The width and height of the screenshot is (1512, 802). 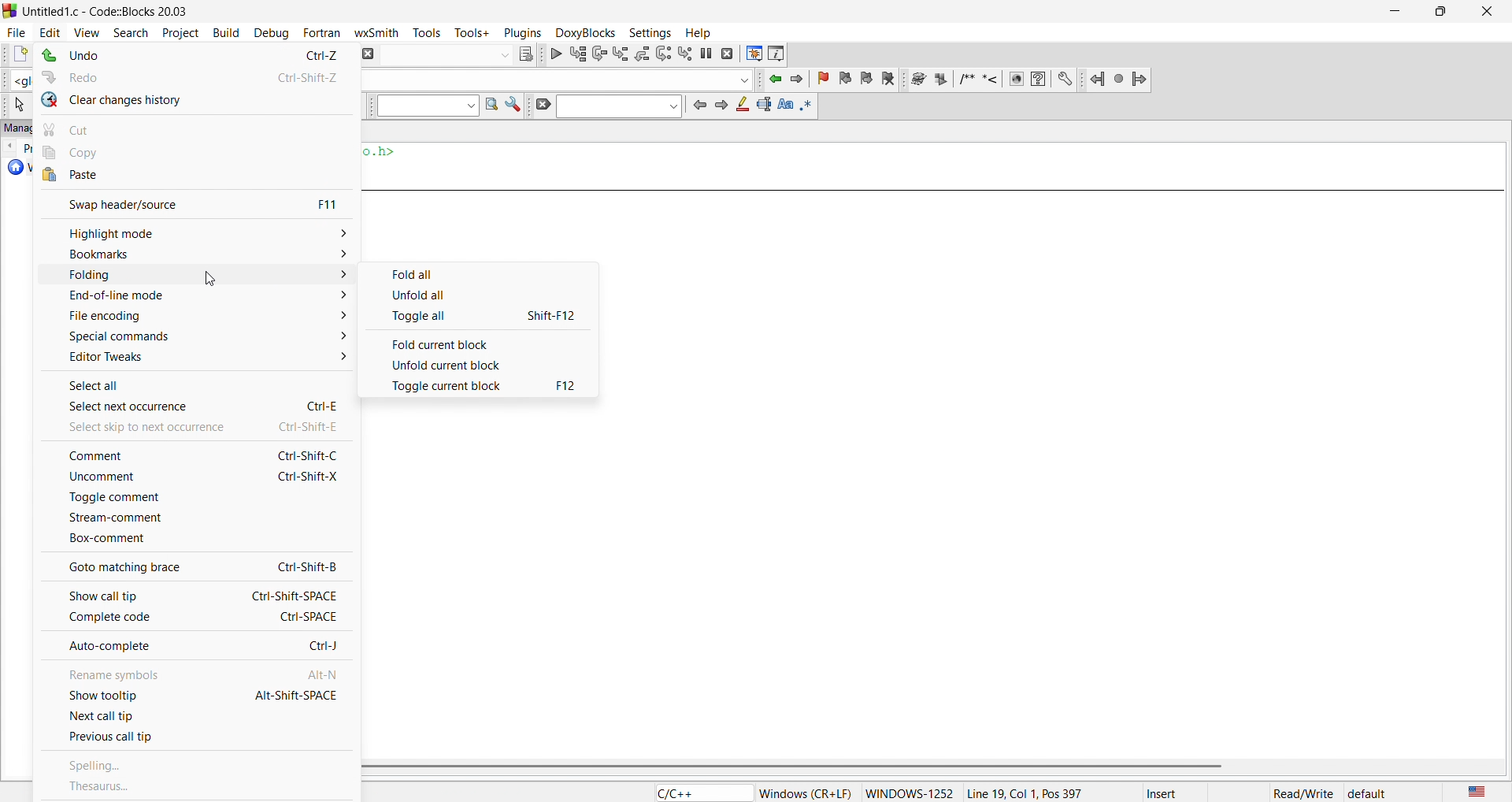 I want to click on debug/continue, so click(x=554, y=54).